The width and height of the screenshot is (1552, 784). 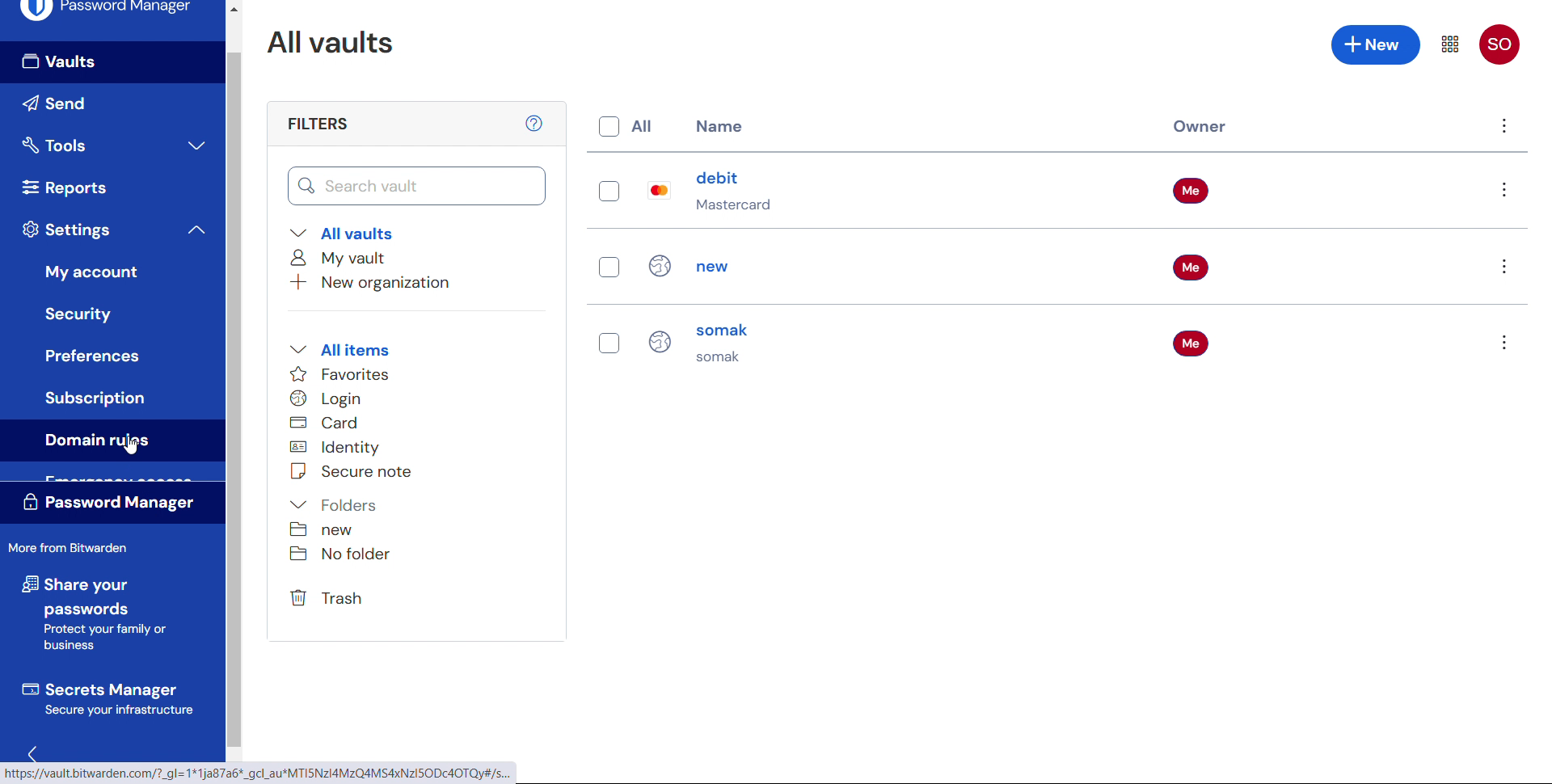 I want to click on All vaults , so click(x=343, y=233).